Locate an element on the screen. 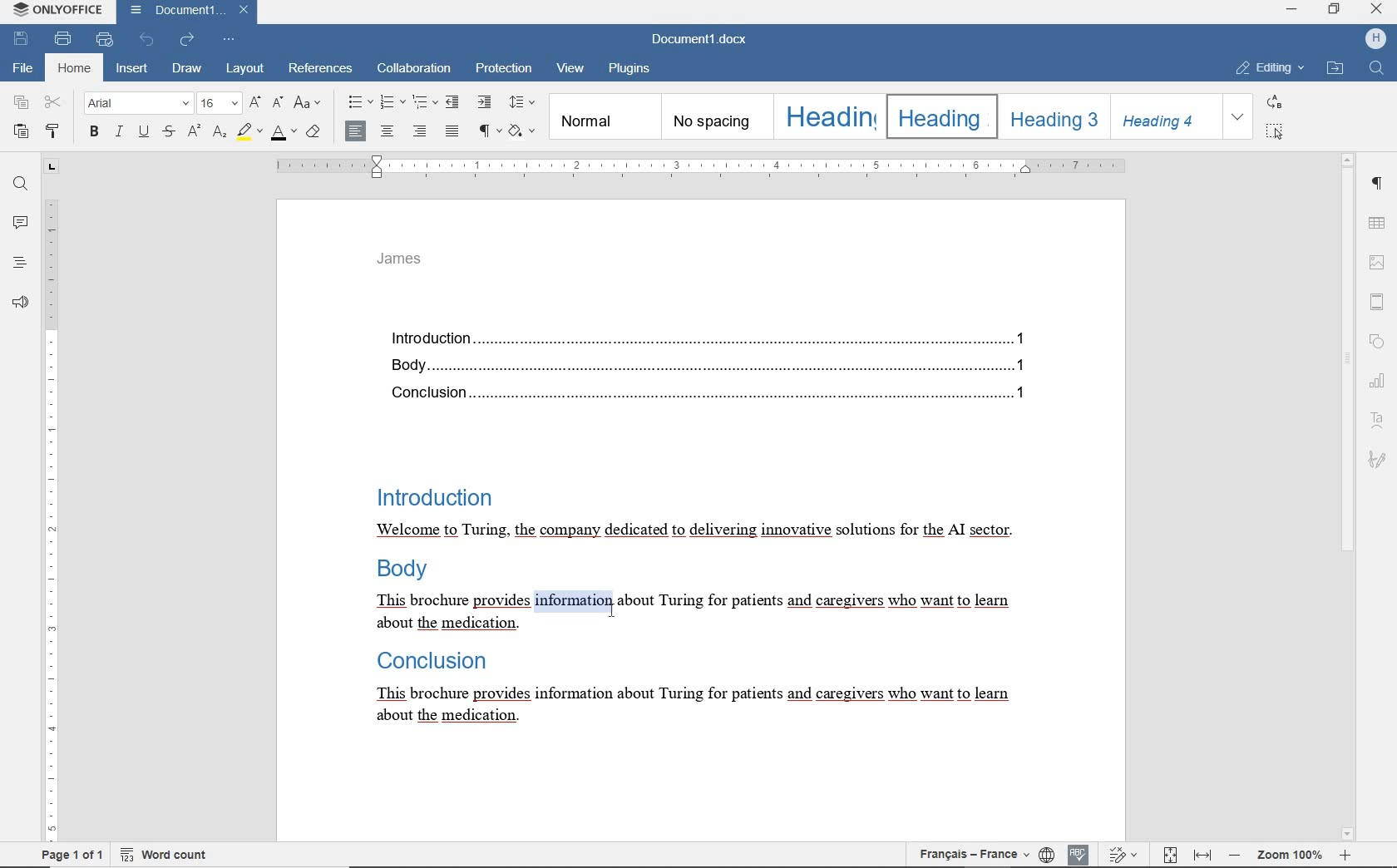  Welcome to Turing, the company dedicated to delivering innovative solutions for the Al sector. is located at coordinates (694, 531).